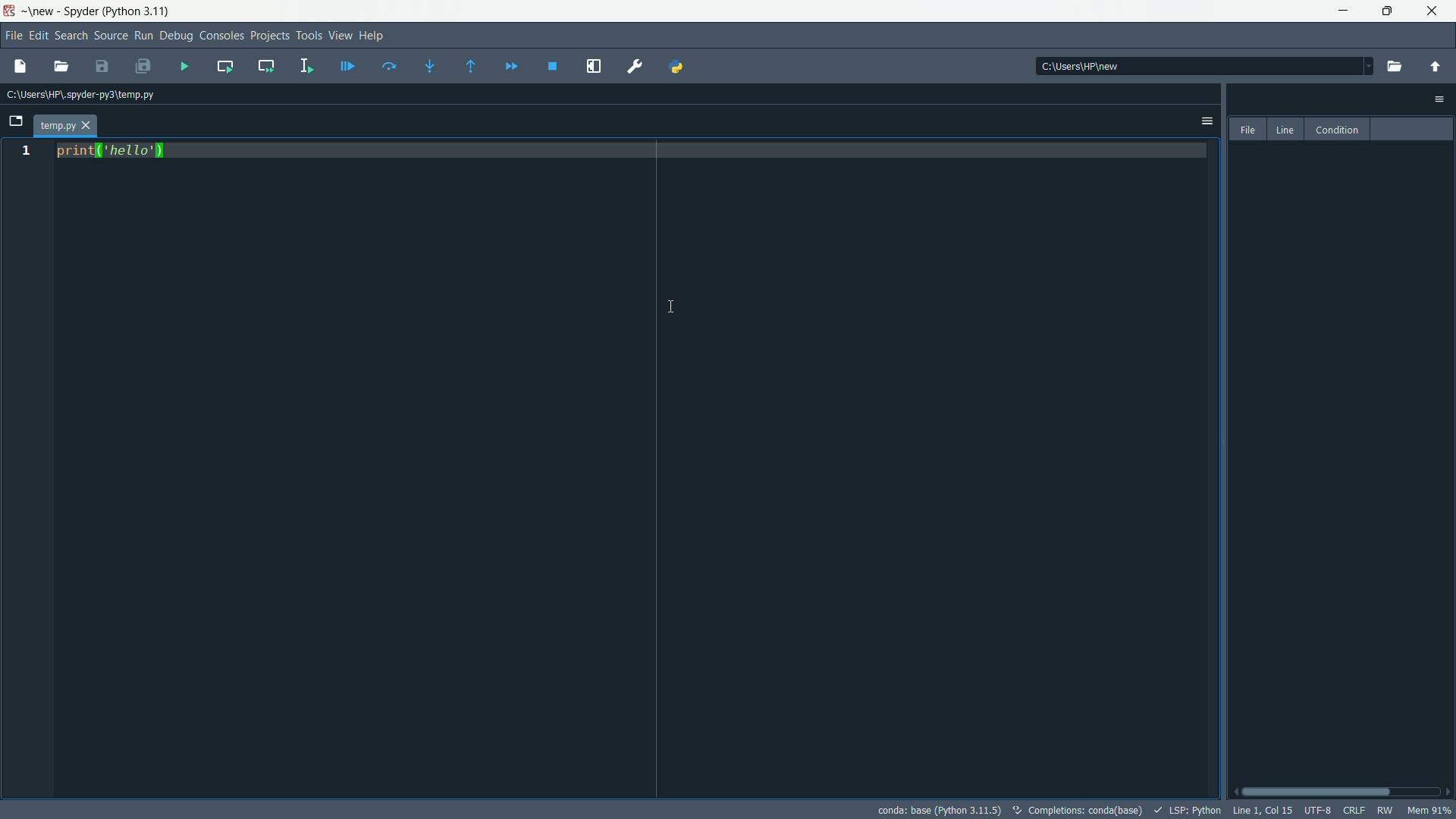 This screenshot has width=1456, height=819. I want to click on maximize, so click(1391, 11).